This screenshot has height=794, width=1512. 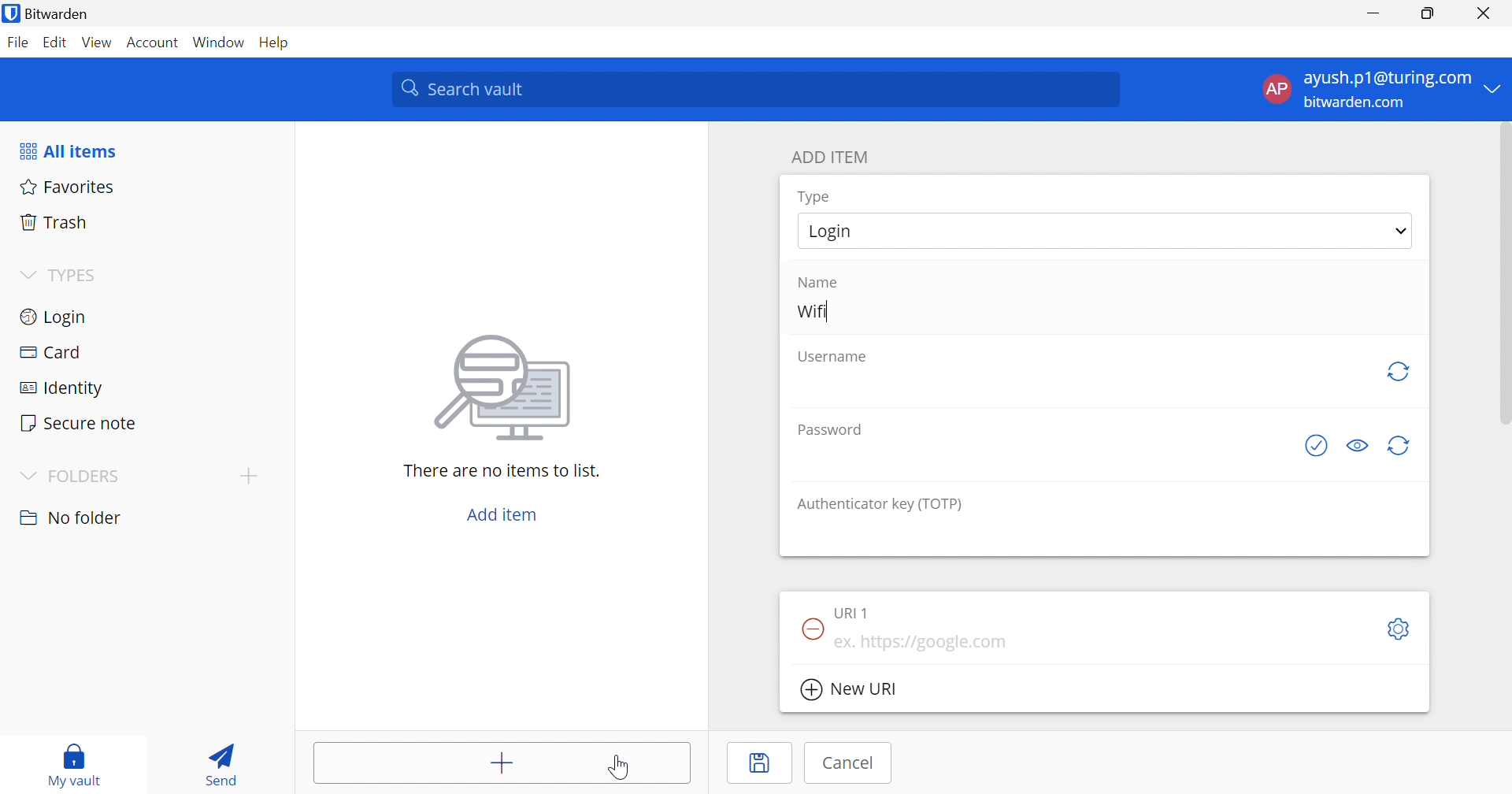 What do you see at coordinates (87, 477) in the screenshot?
I see `FOLDERS` at bounding box center [87, 477].